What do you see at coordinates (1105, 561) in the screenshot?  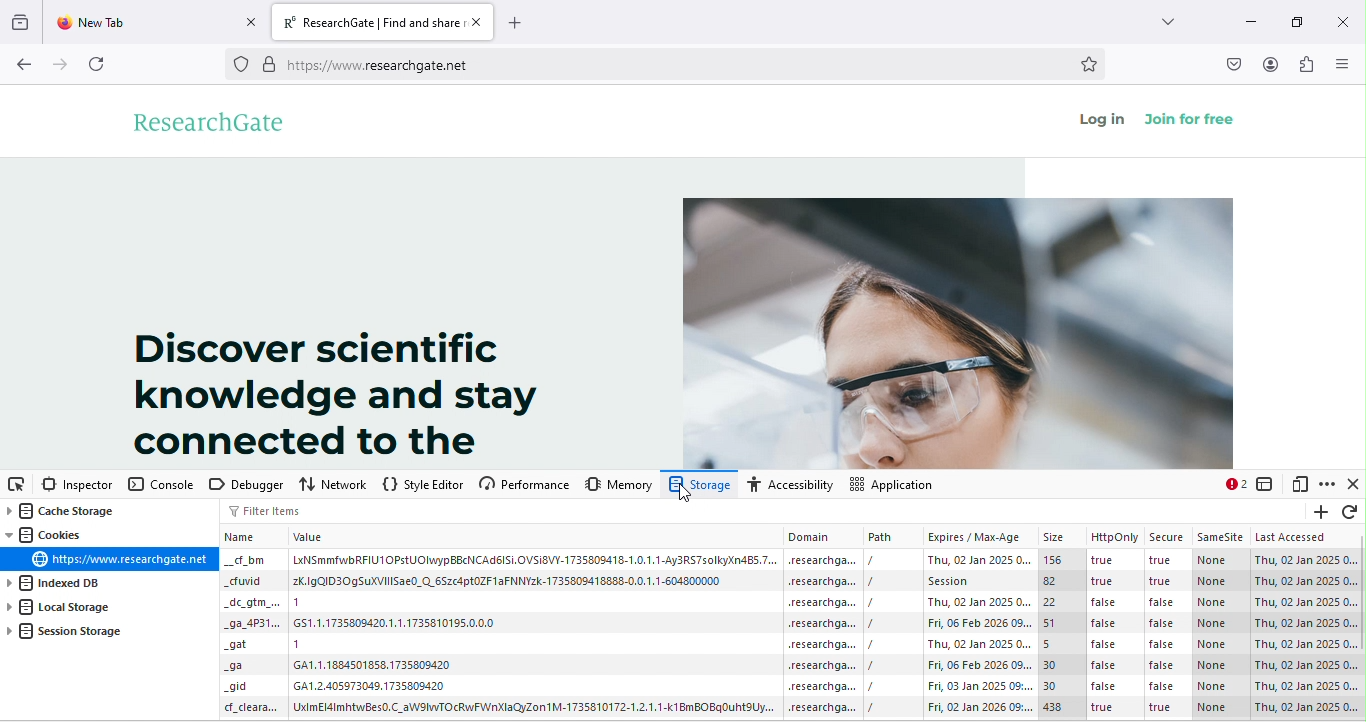 I see `true` at bounding box center [1105, 561].